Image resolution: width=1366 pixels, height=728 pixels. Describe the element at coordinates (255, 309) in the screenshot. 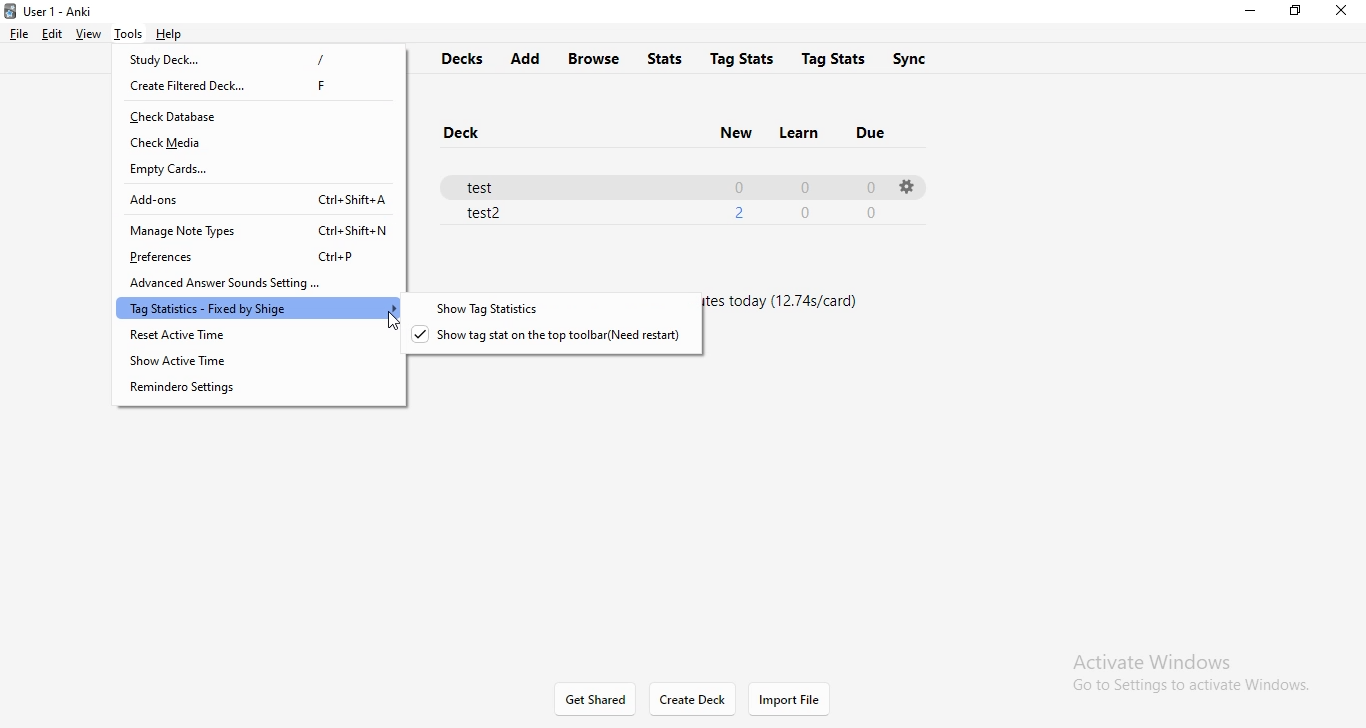

I see `tag statistics ` at that location.